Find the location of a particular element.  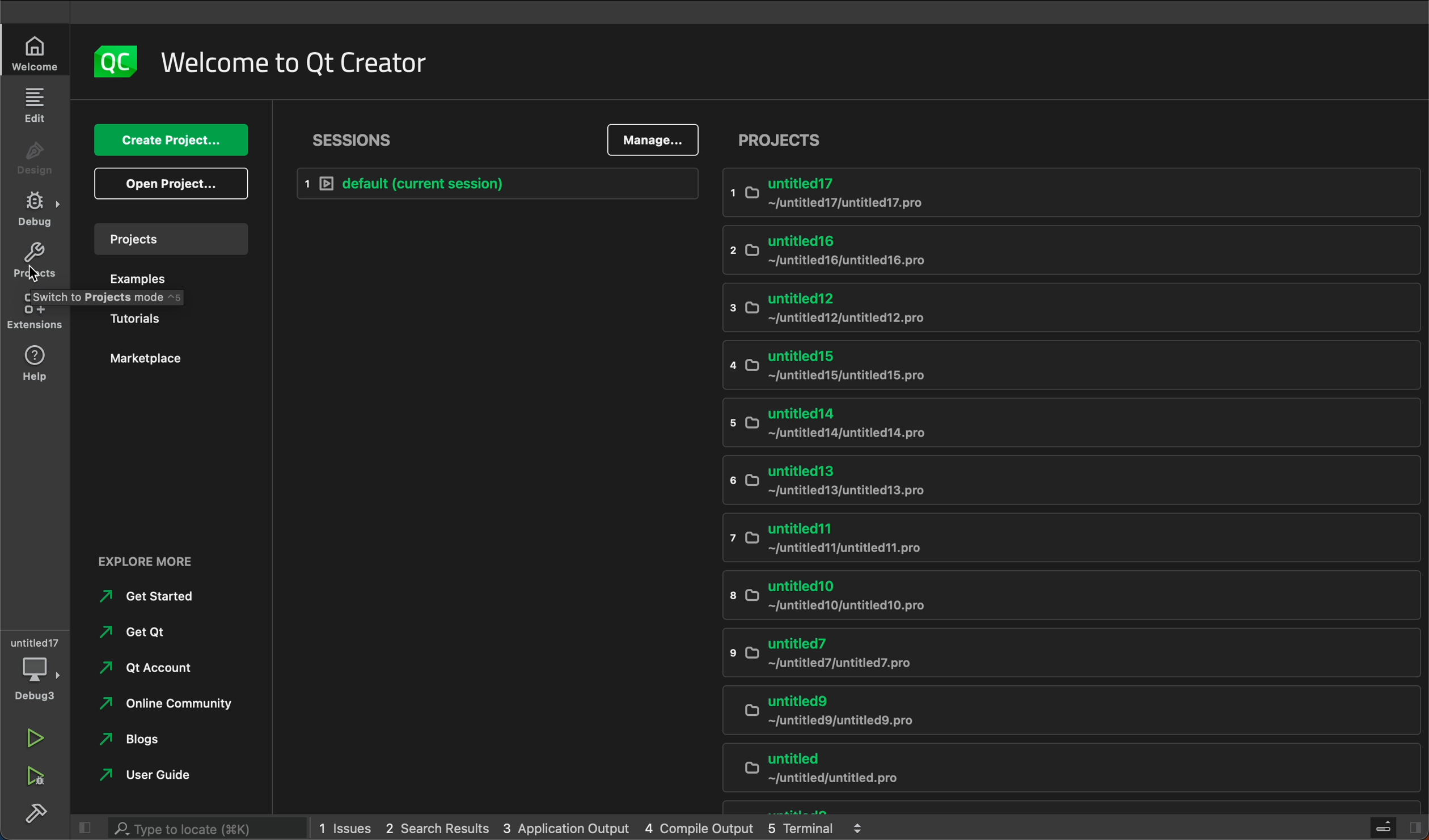

QC Logo is located at coordinates (115, 63).